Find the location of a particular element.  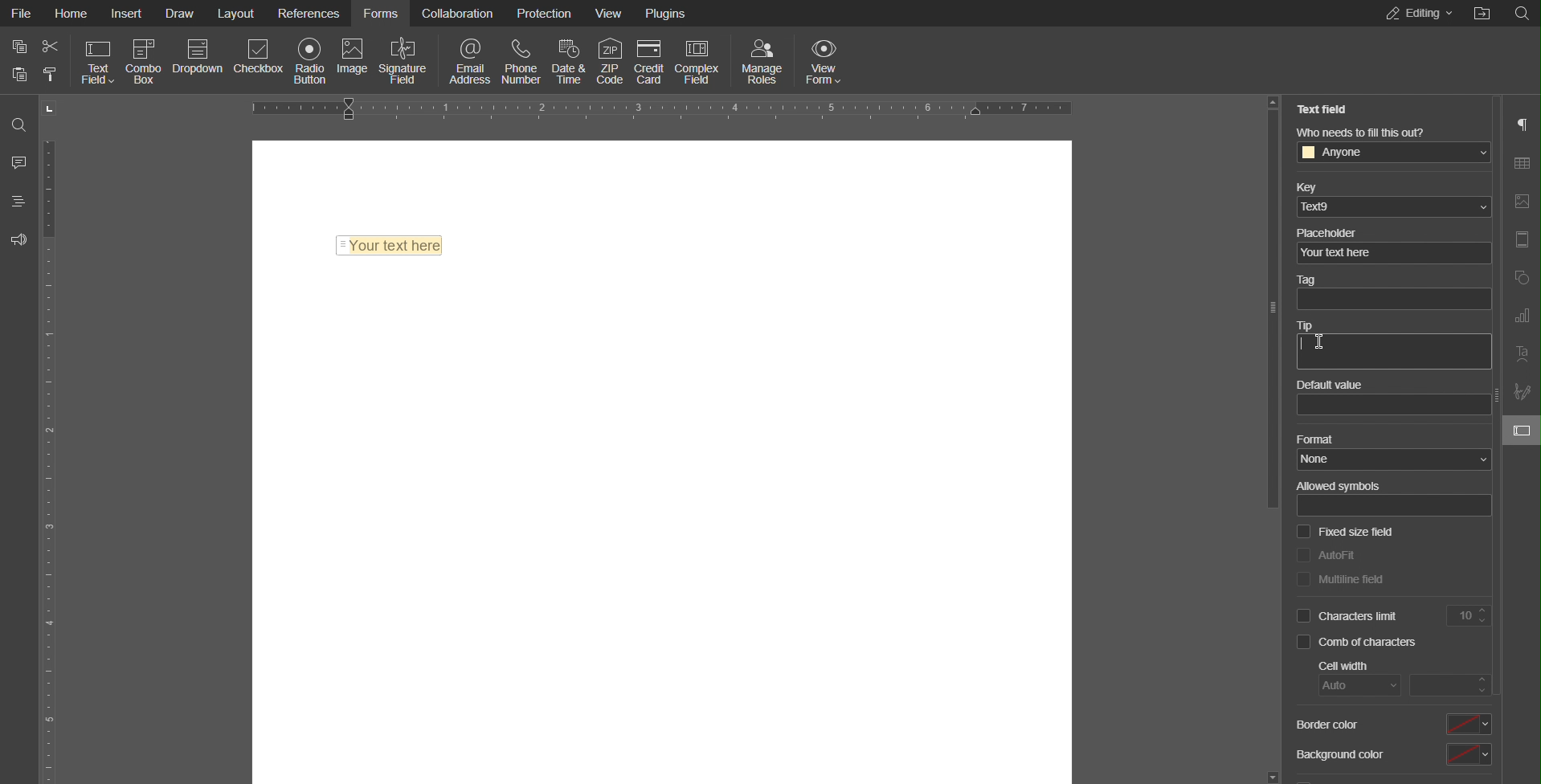

your text here is located at coordinates (1388, 256).